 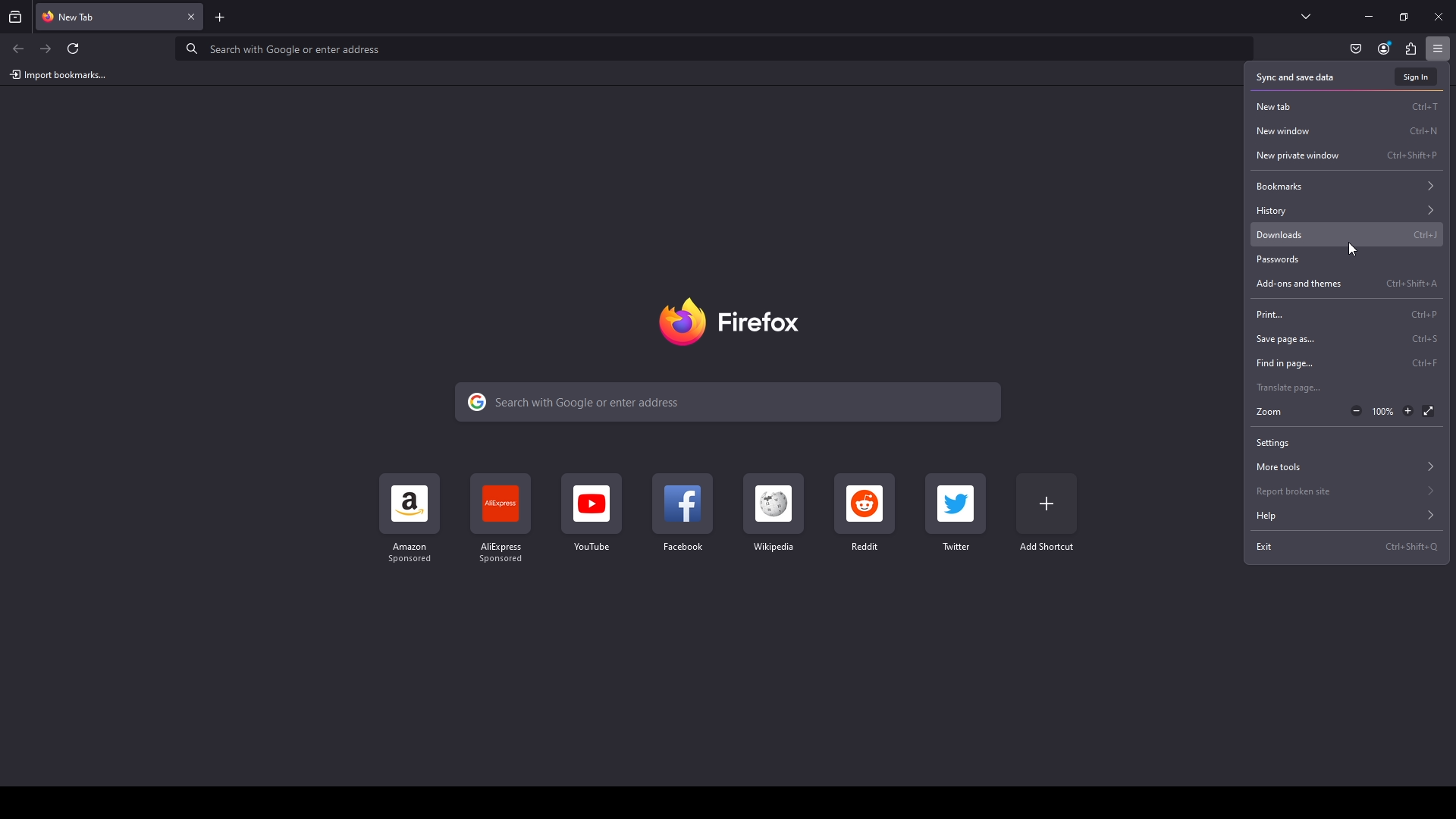 What do you see at coordinates (1415, 76) in the screenshot?
I see `Sign in` at bounding box center [1415, 76].